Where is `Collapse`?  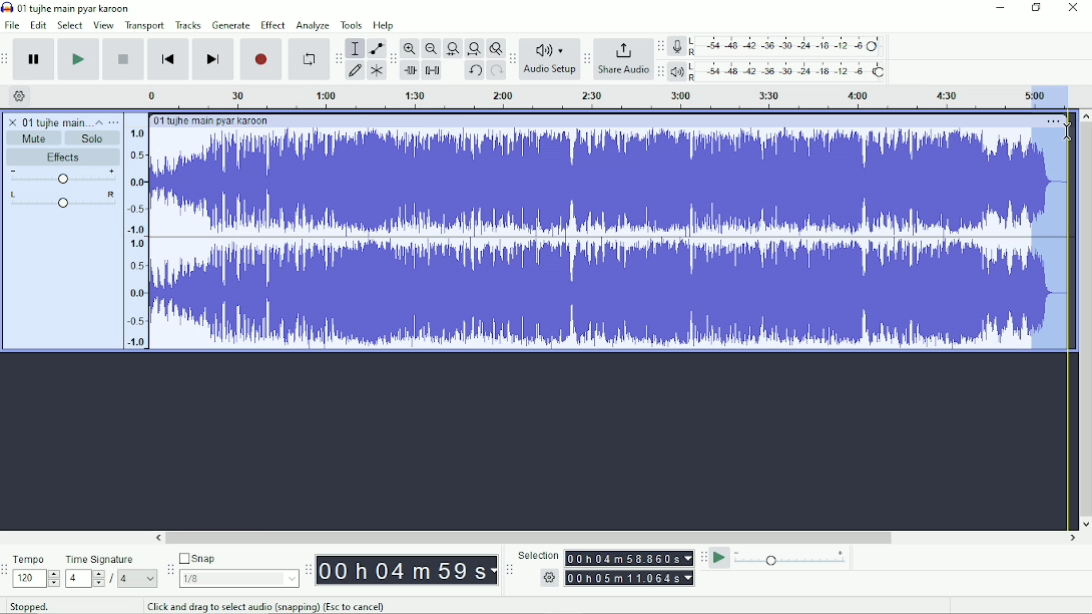
Collapse is located at coordinates (101, 123).